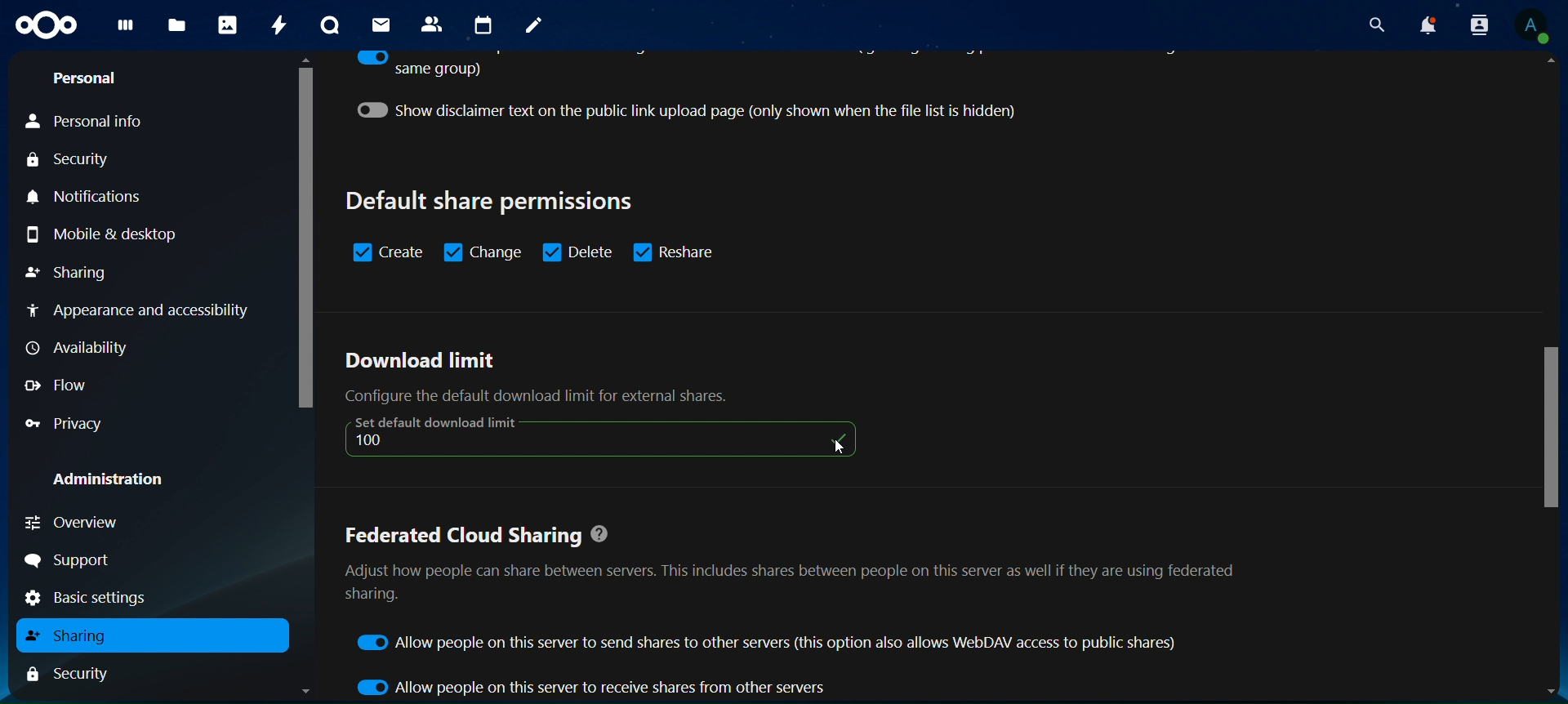 The width and height of the screenshot is (1568, 704). What do you see at coordinates (771, 643) in the screenshot?
I see `allow people on this server to send shares to other servers ` at bounding box center [771, 643].